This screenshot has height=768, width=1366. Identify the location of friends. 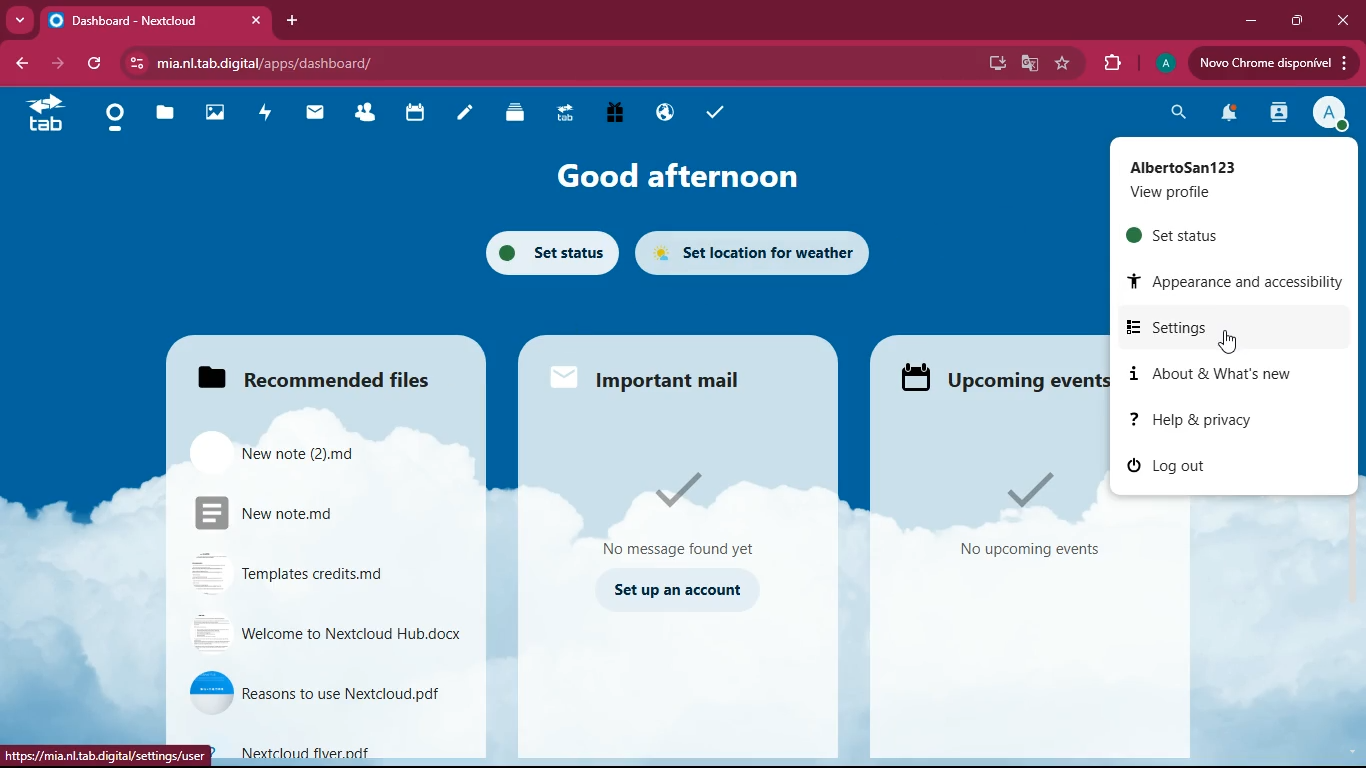
(365, 114).